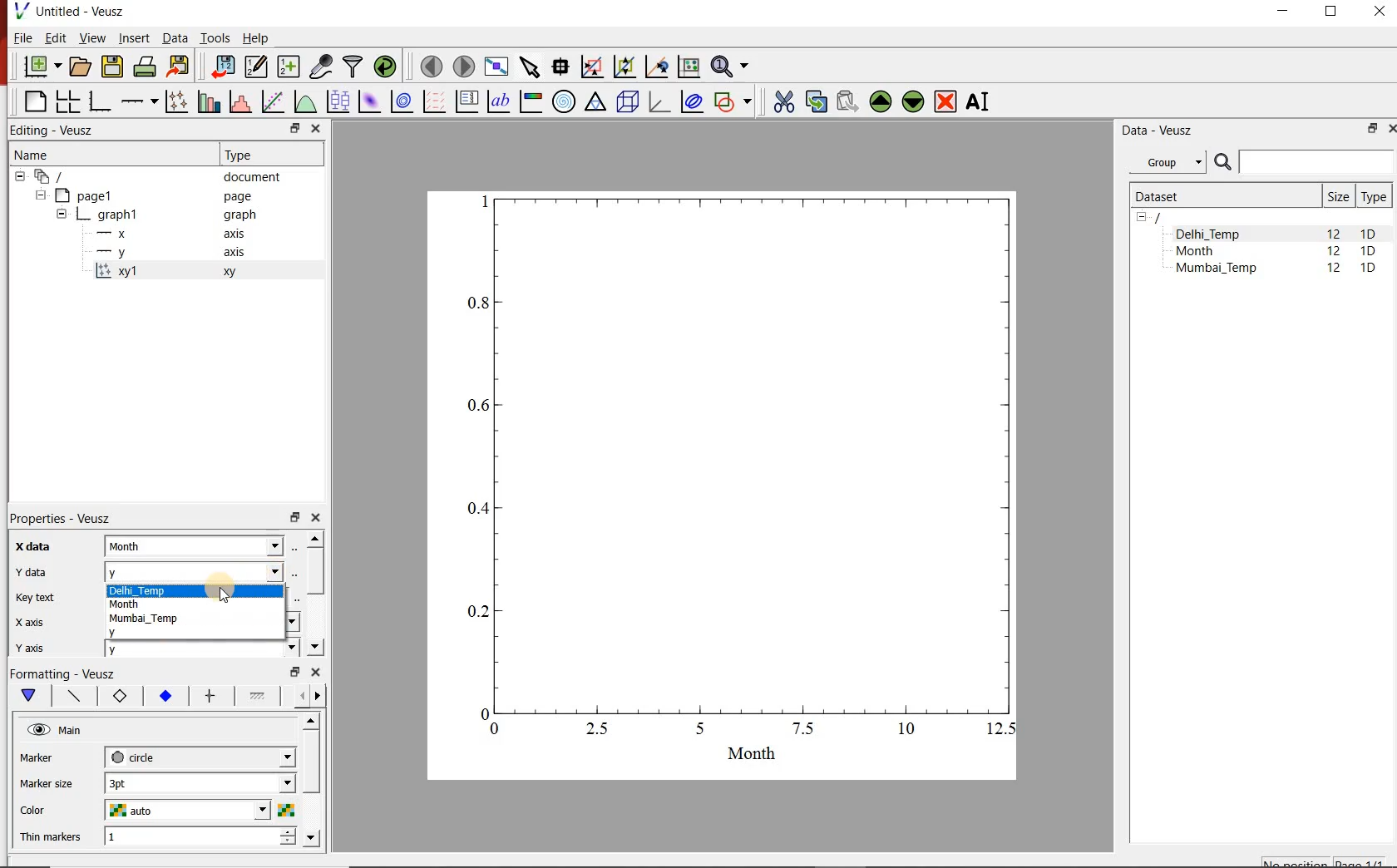 The height and width of the screenshot is (868, 1397). Describe the element at coordinates (353, 67) in the screenshot. I see `filter data` at that location.